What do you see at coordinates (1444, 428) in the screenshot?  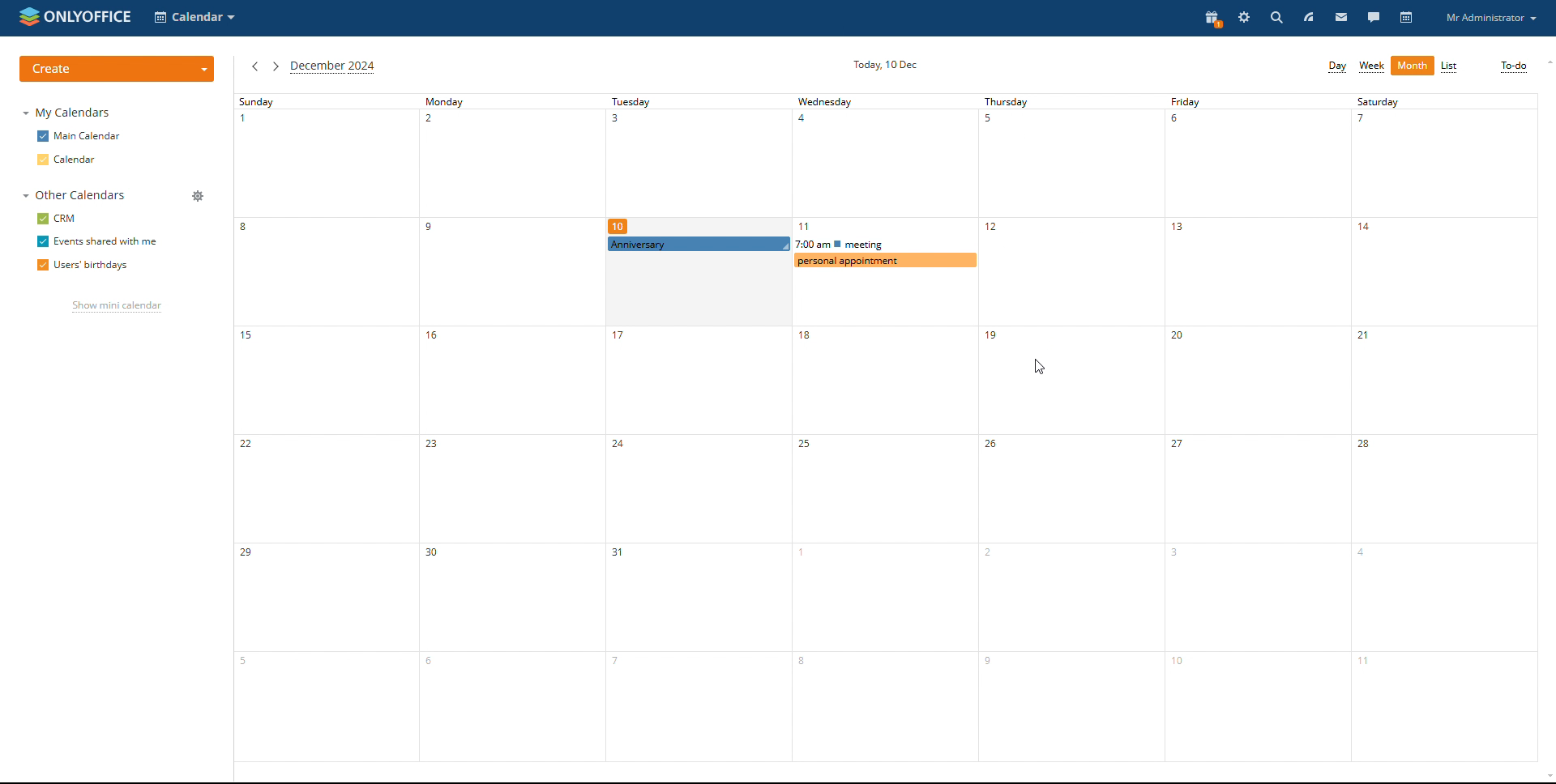 I see `saturday` at bounding box center [1444, 428].